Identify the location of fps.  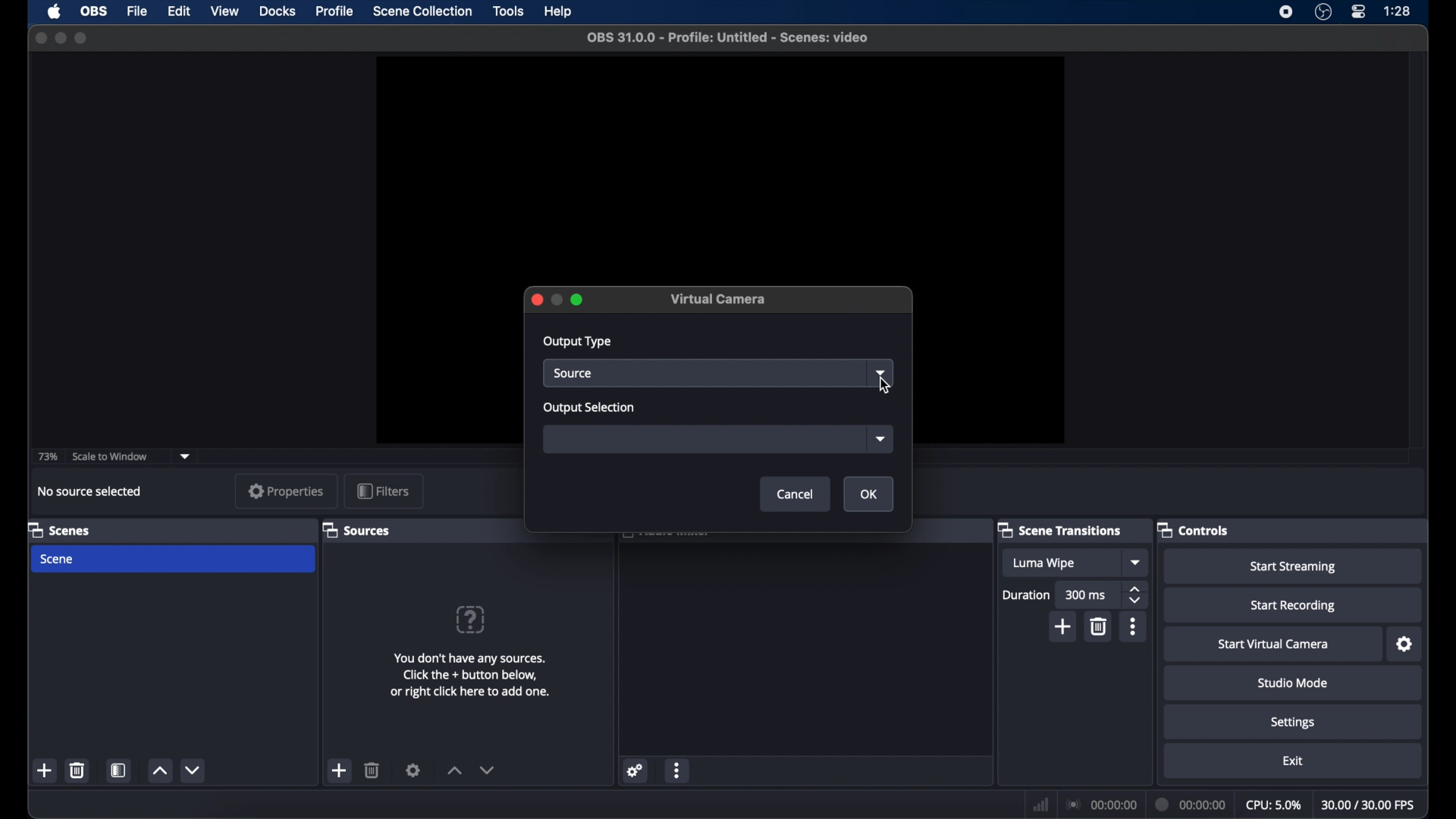
(1369, 805).